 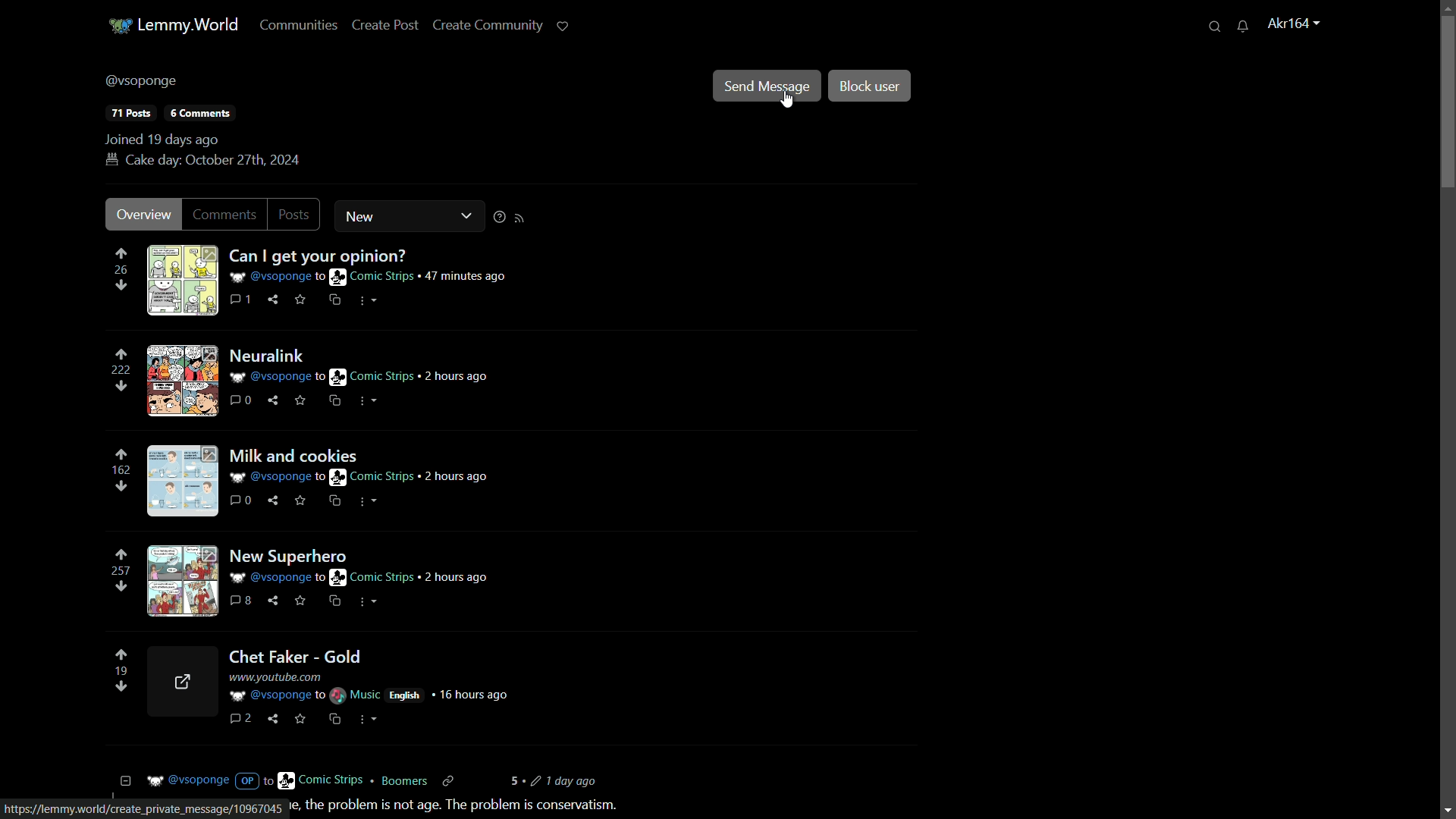 What do you see at coordinates (336, 399) in the screenshot?
I see `cross share` at bounding box center [336, 399].